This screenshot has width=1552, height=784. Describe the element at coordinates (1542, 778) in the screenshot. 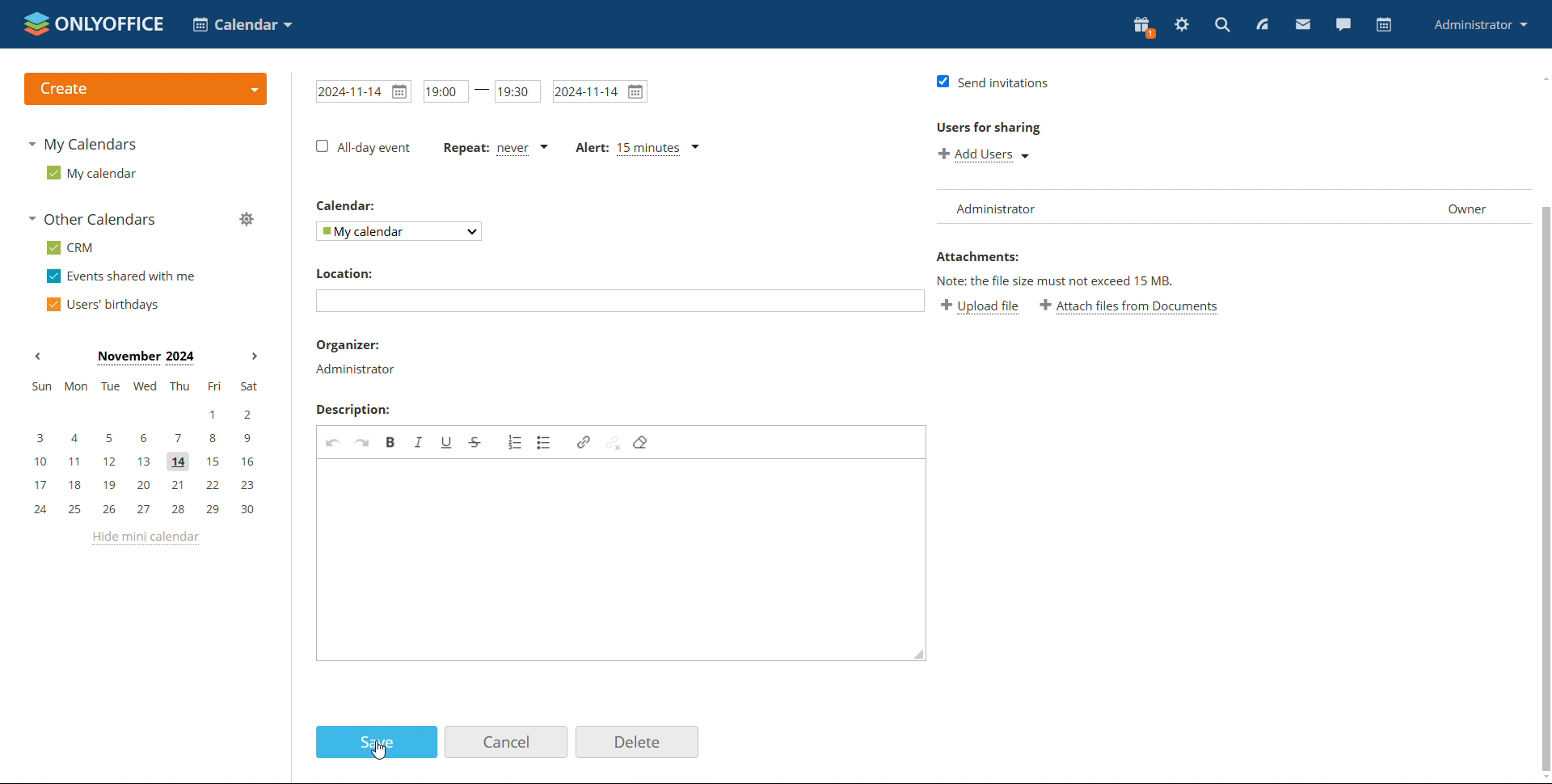

I see `scroll down` at that location.